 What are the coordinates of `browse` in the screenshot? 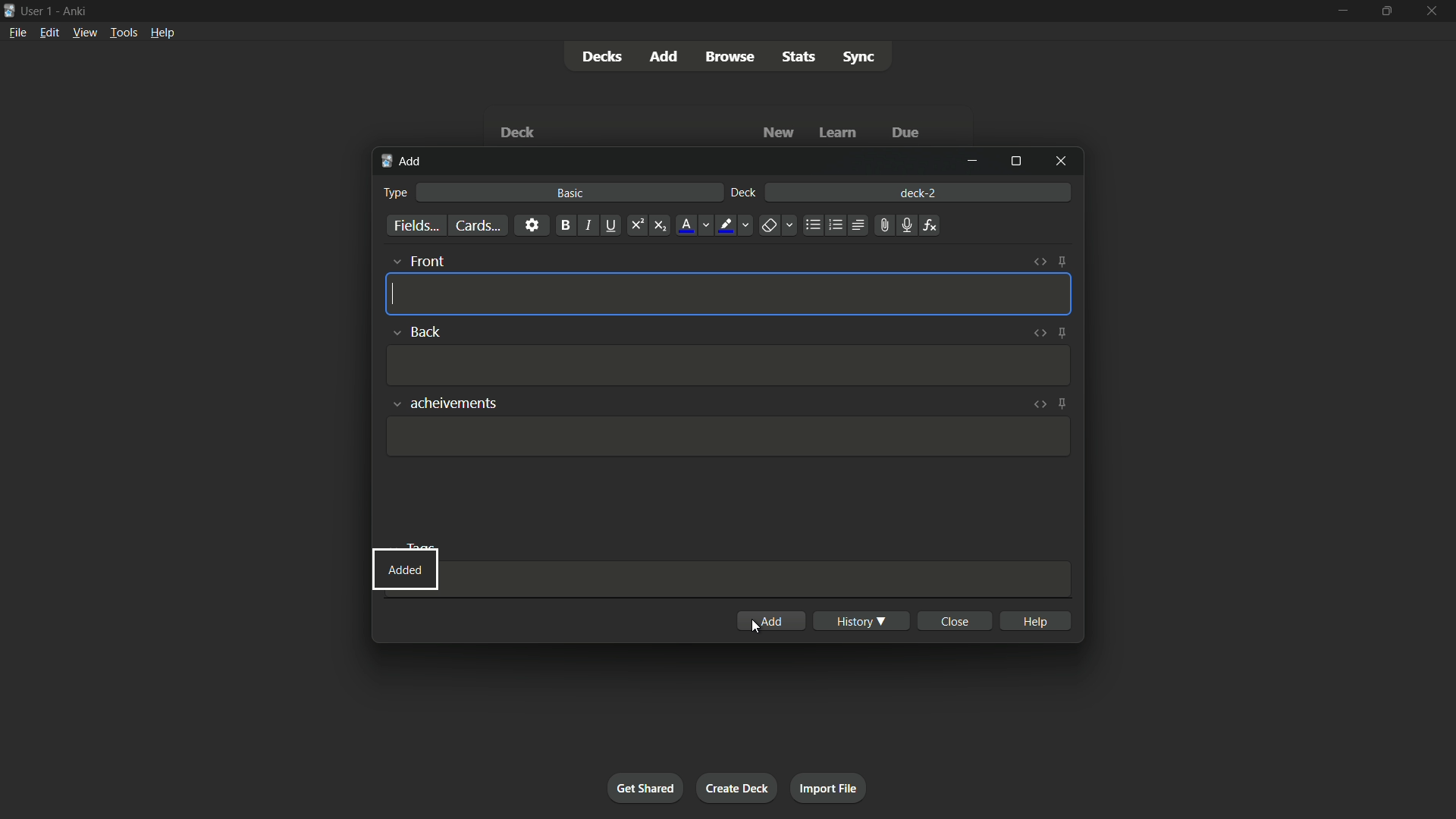 It's located at (727, 57).